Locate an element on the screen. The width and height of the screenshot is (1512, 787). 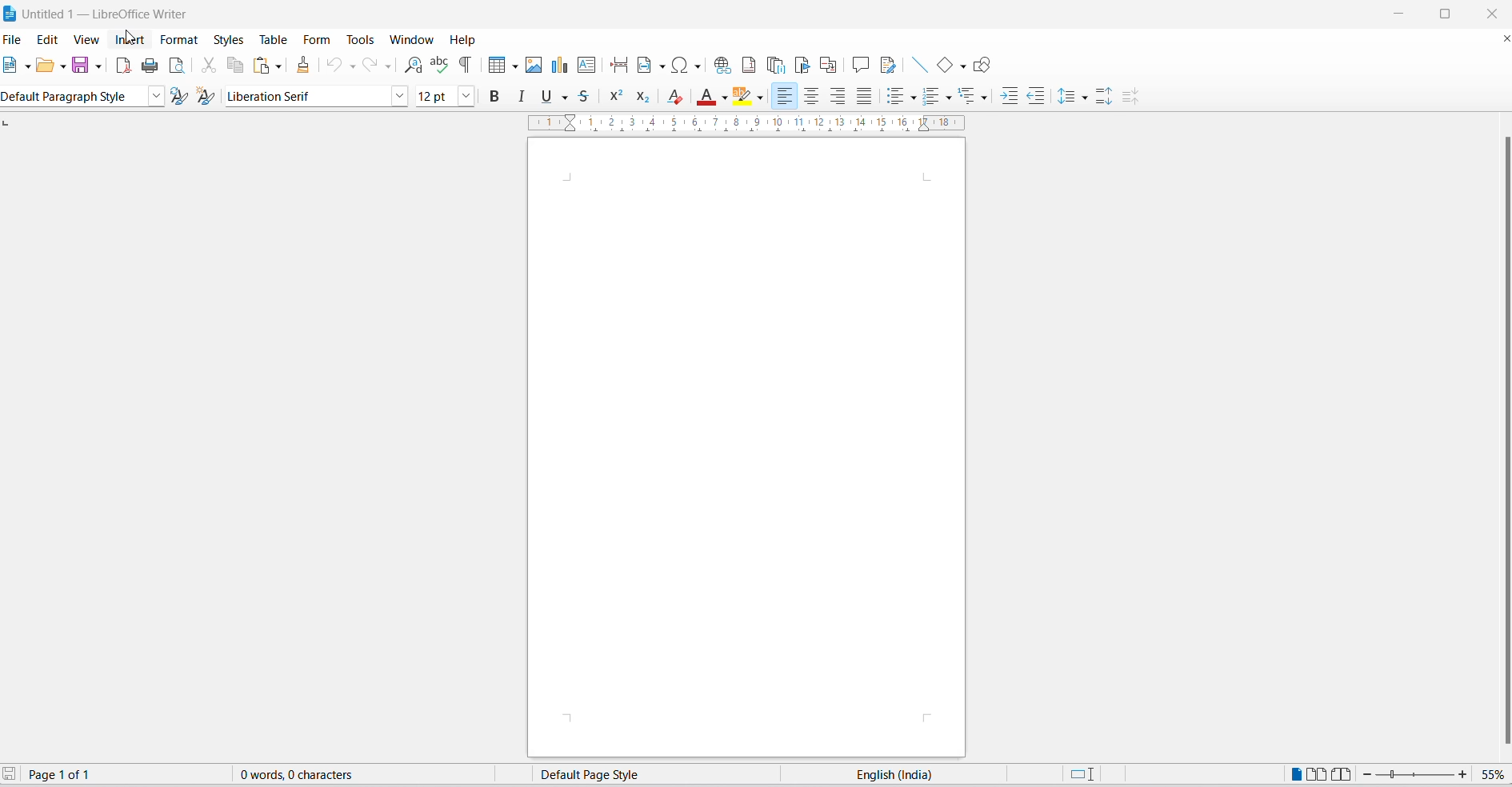
maximize is located at coordinates (1445, 15).